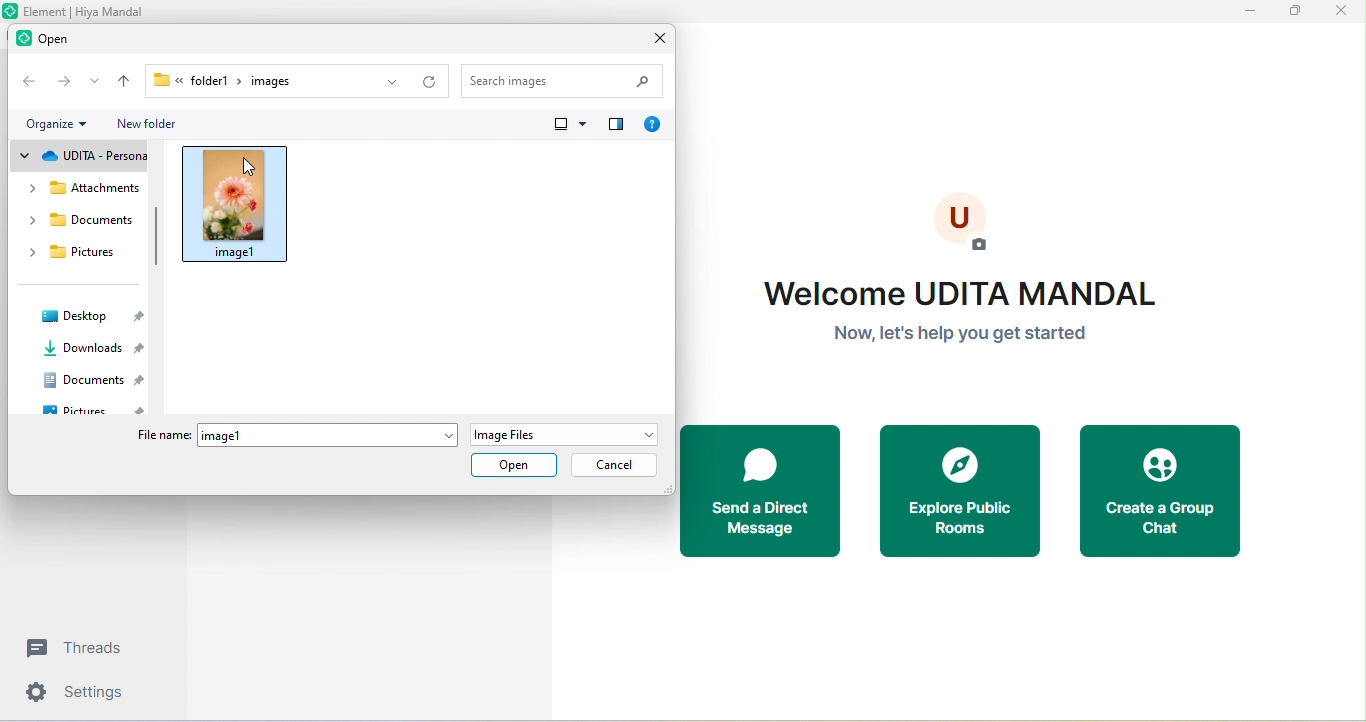 This screenshot has height=722, width=1366. What do you see at coordinates (1253, 13) in the screenshot?
I see `minimize` at bounding box center [1253, 13].